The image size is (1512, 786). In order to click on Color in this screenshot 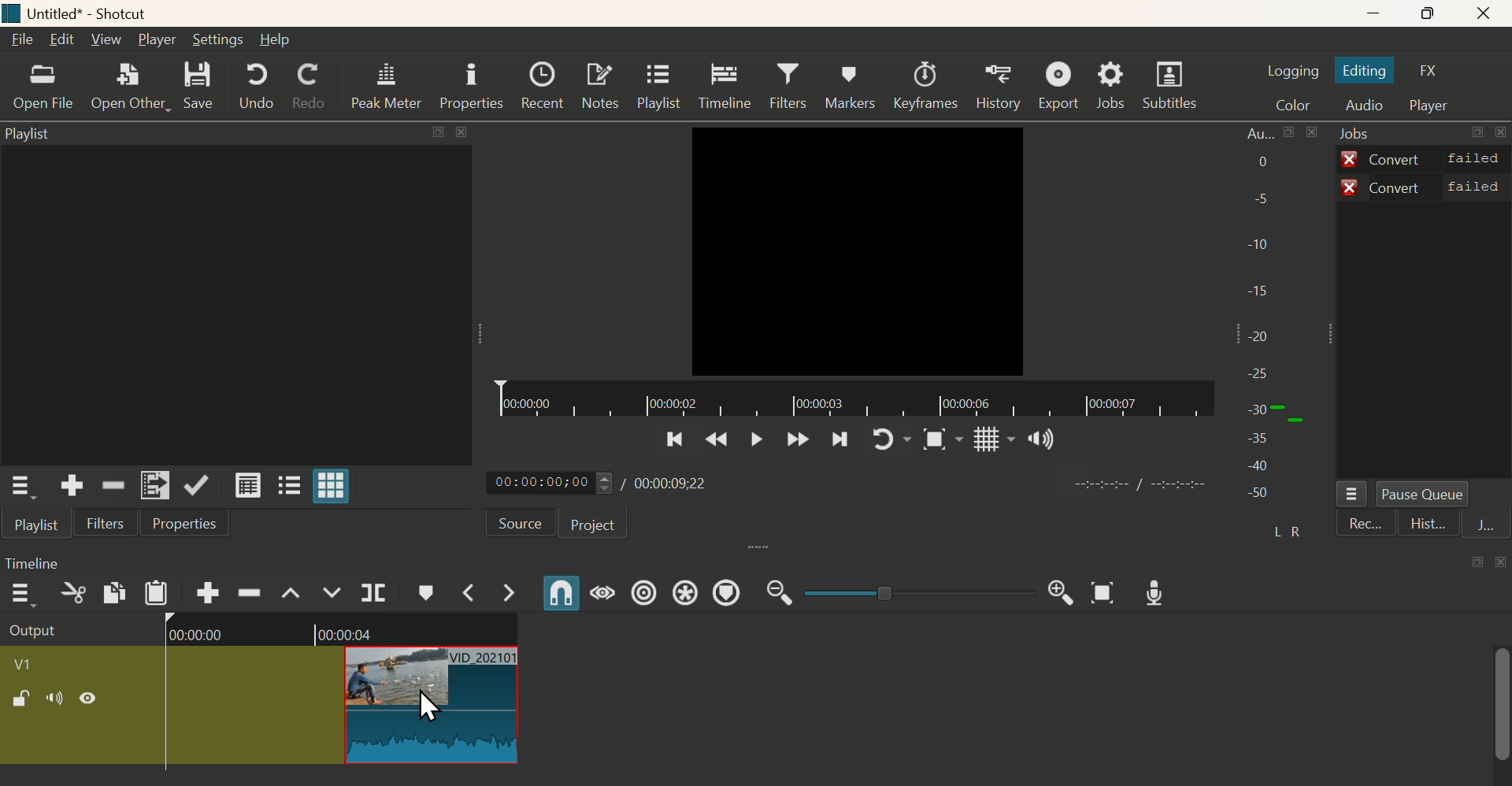, I will do `click(1290, 102)`.